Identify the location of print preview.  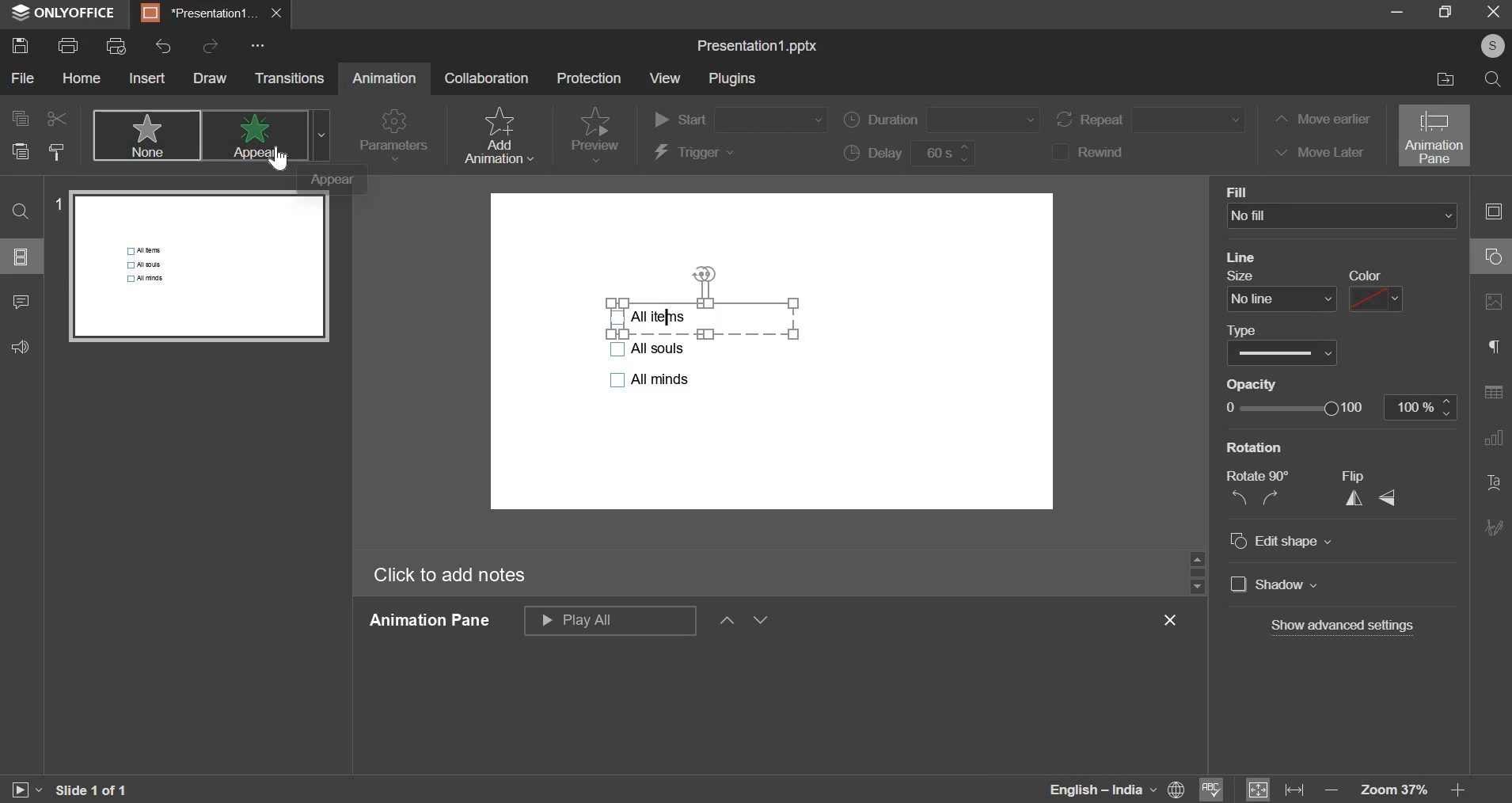
(115, 46).